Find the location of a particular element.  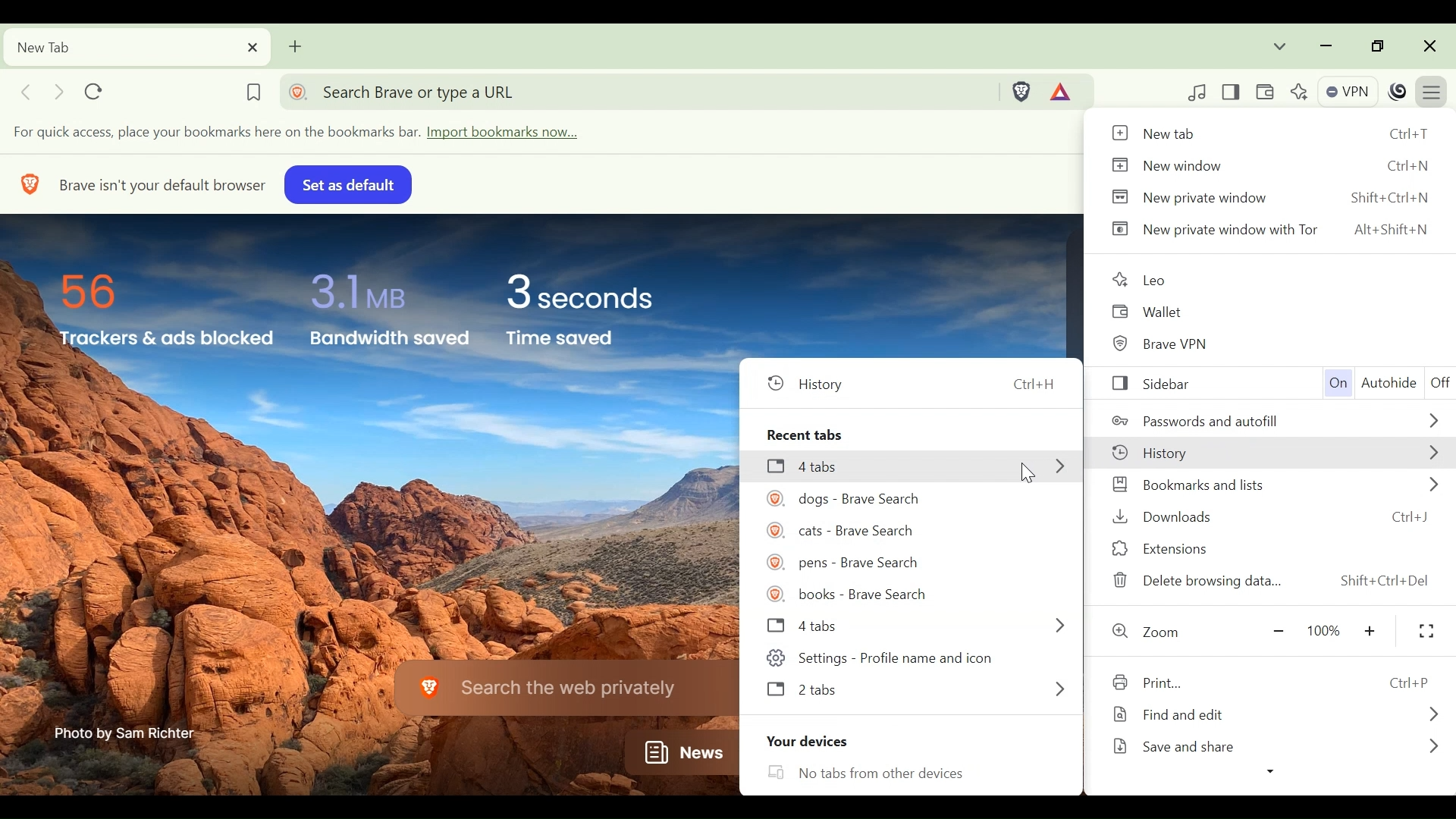

Trackers & ads Blocked is located at coordinates (165, 340).